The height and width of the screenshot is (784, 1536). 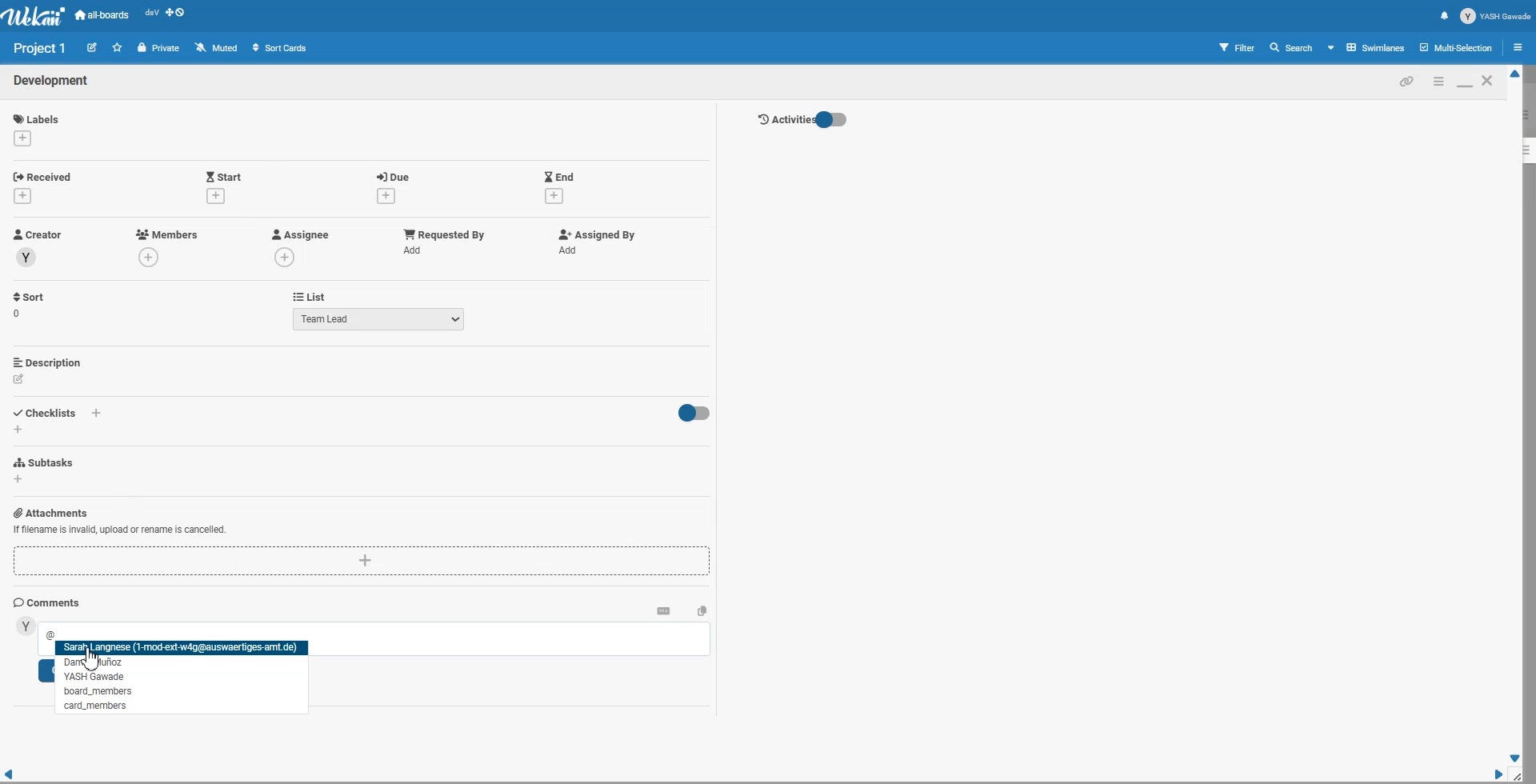 What do you see at coordinates (1292, 47) in the screenshot?
I see `Search` at bounding box center [1292, 47].